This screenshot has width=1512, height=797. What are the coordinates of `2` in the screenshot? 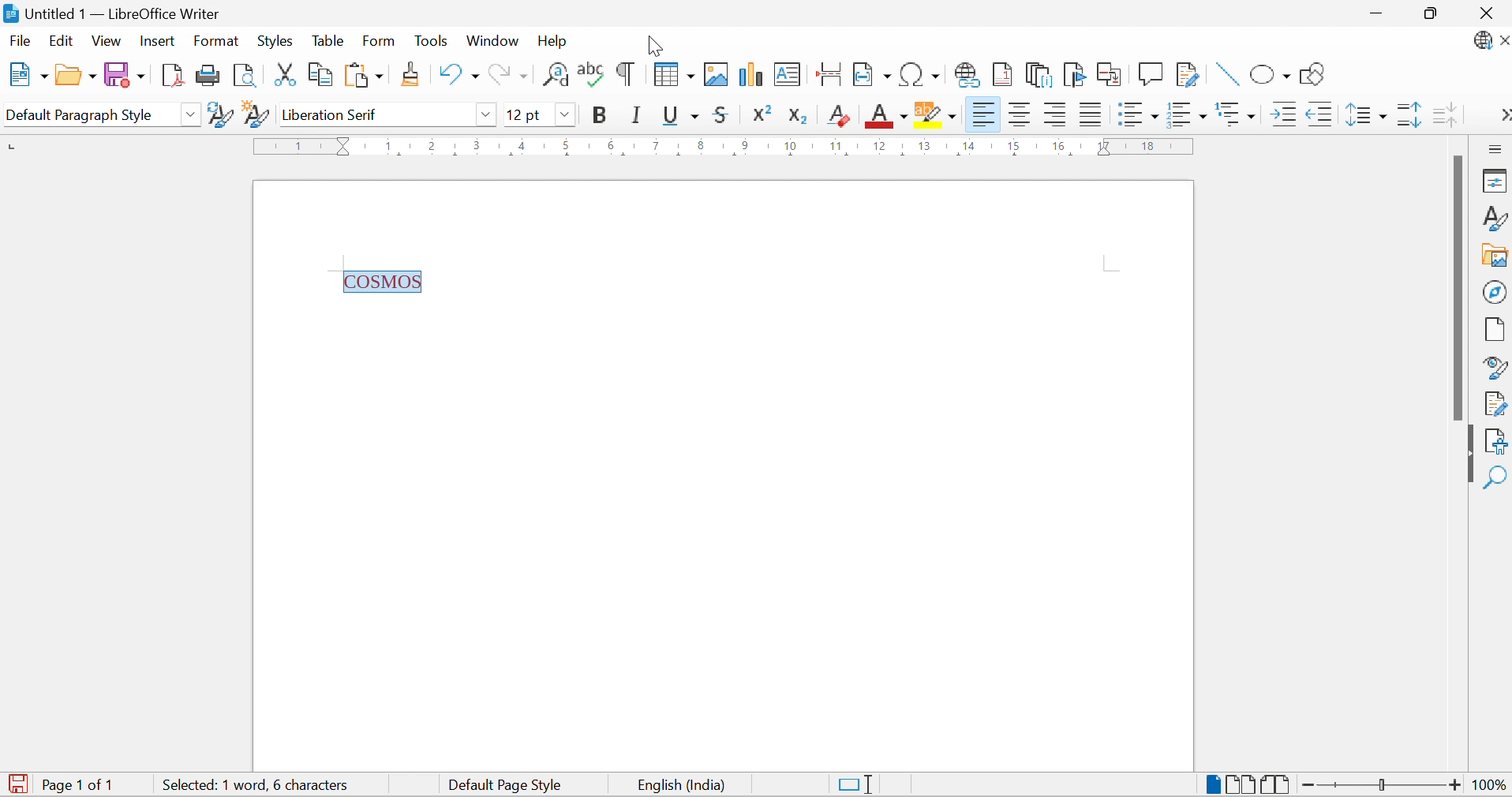 It's located at (433, 144).